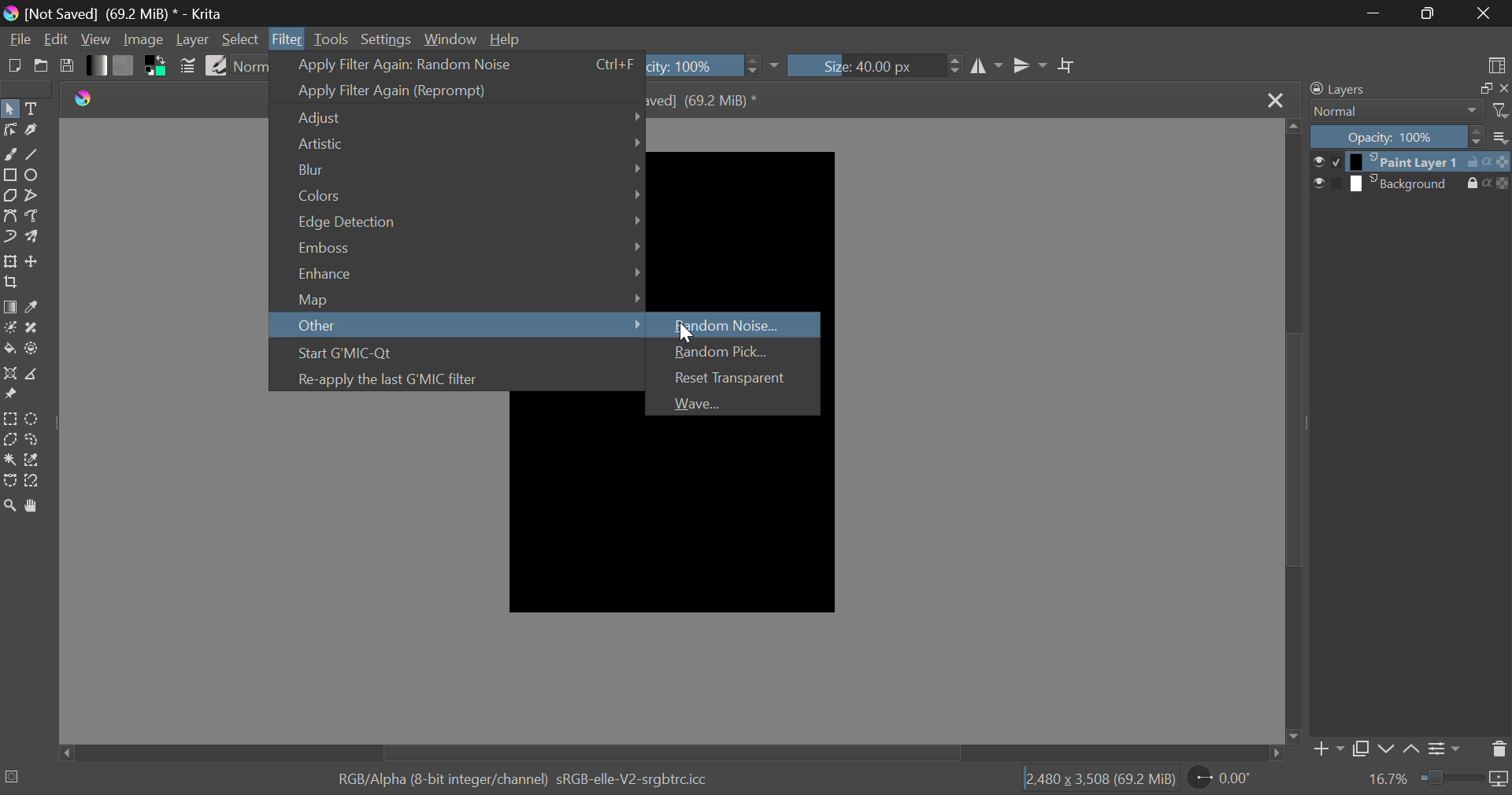 Image resolution: width=1512 pixels, height=795 pixels. Describe the element at coordinates (466, 220) in the screenshot. I see `Edge Detection` at that location.